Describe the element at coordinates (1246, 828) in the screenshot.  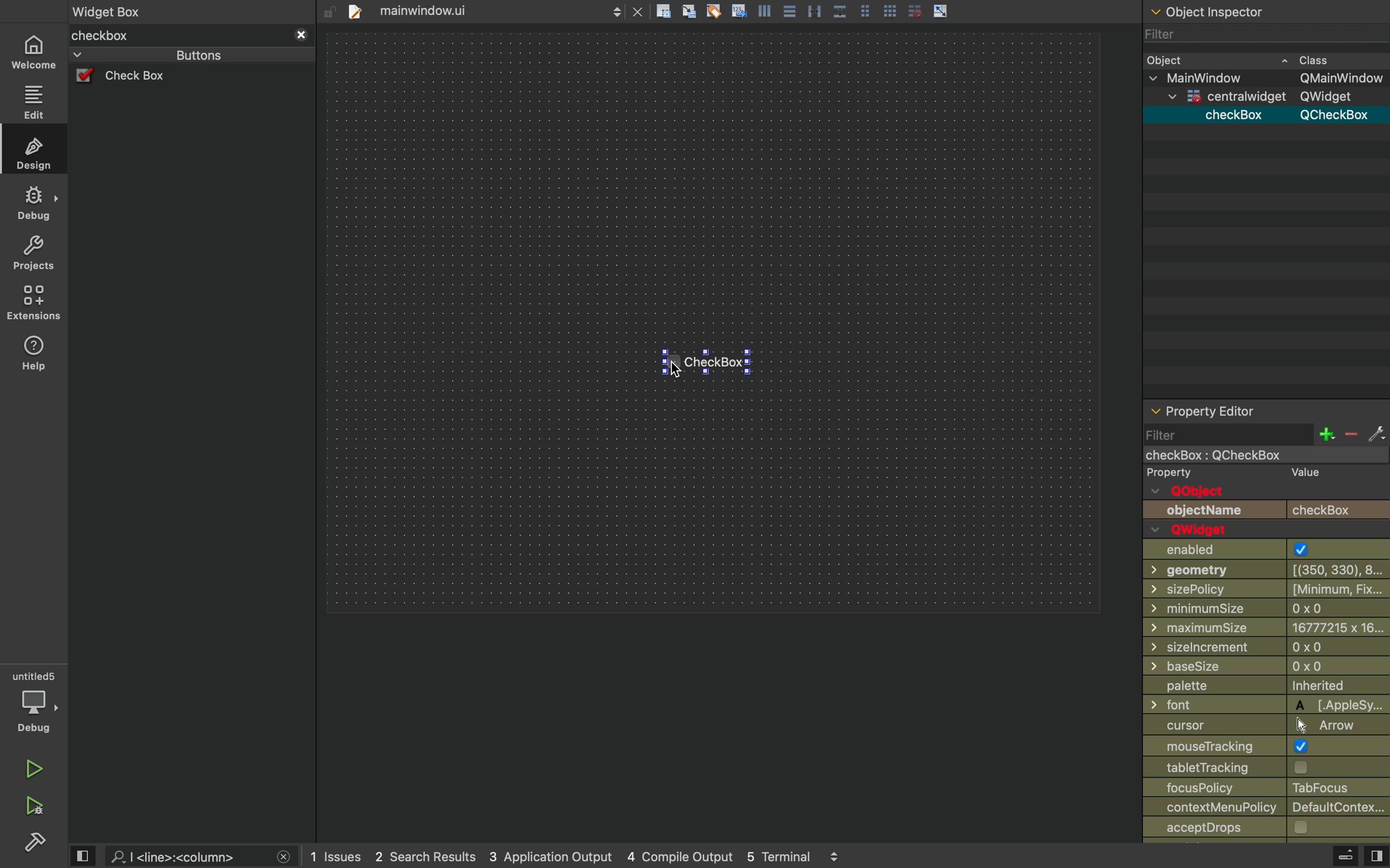
I see `accept drops` at that location.